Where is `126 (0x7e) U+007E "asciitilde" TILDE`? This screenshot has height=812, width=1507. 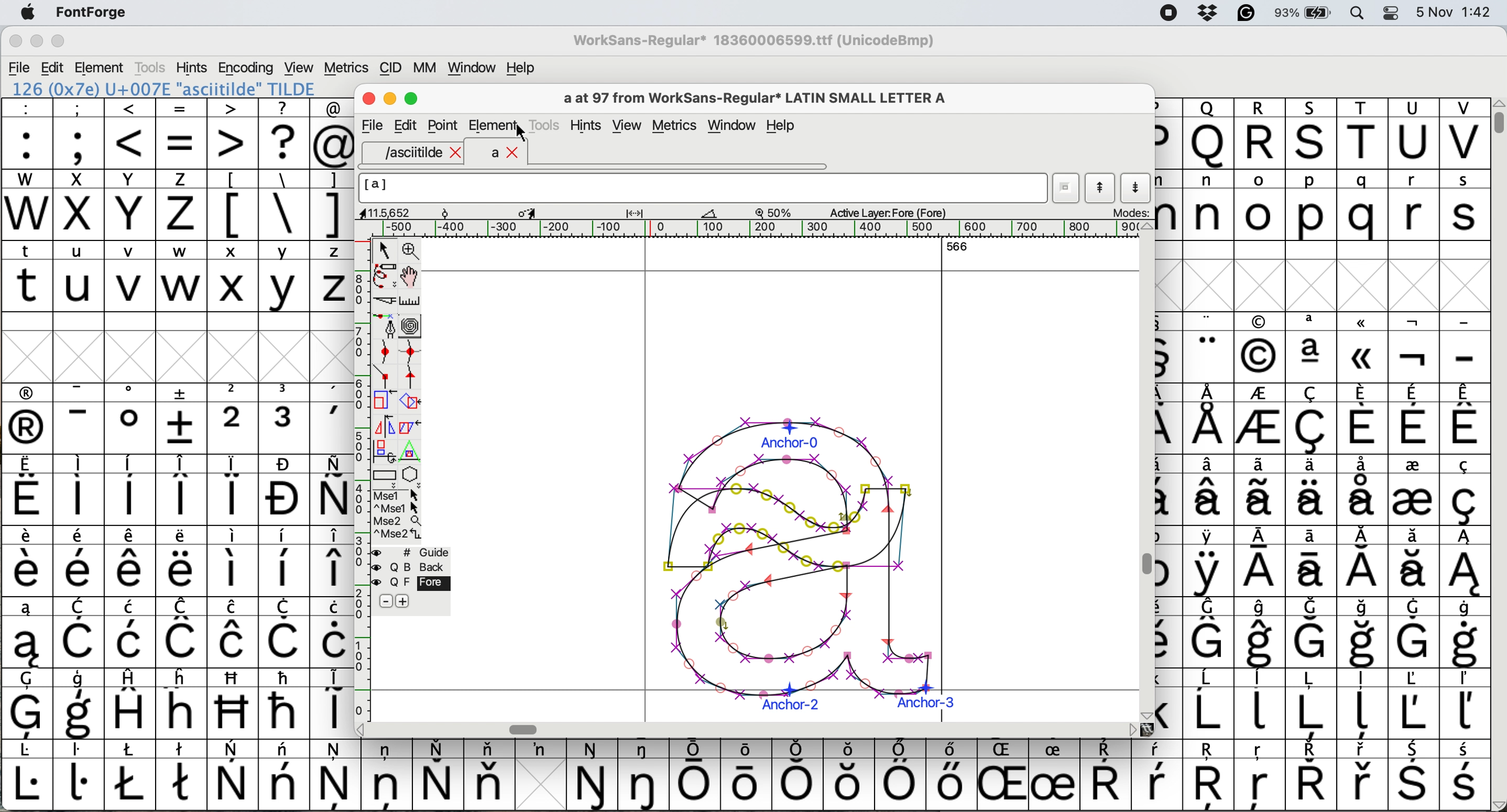
126 (0x7e) U+007E "asciitilde" TILDE is located at coordinates (165, 88).